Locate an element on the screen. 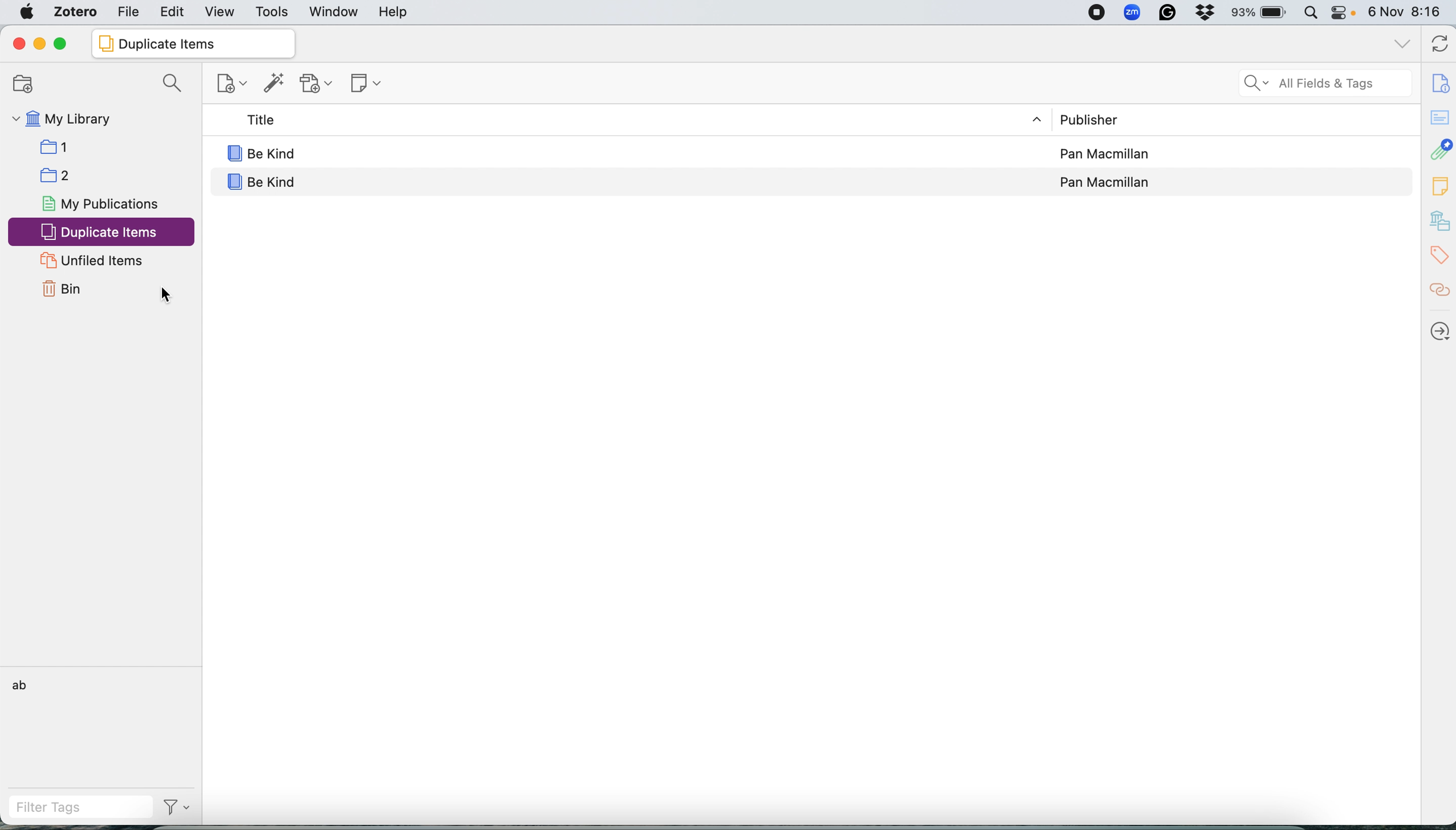 This screenshot has height=830, width=1456. bin is located at coordinates (62, 288).